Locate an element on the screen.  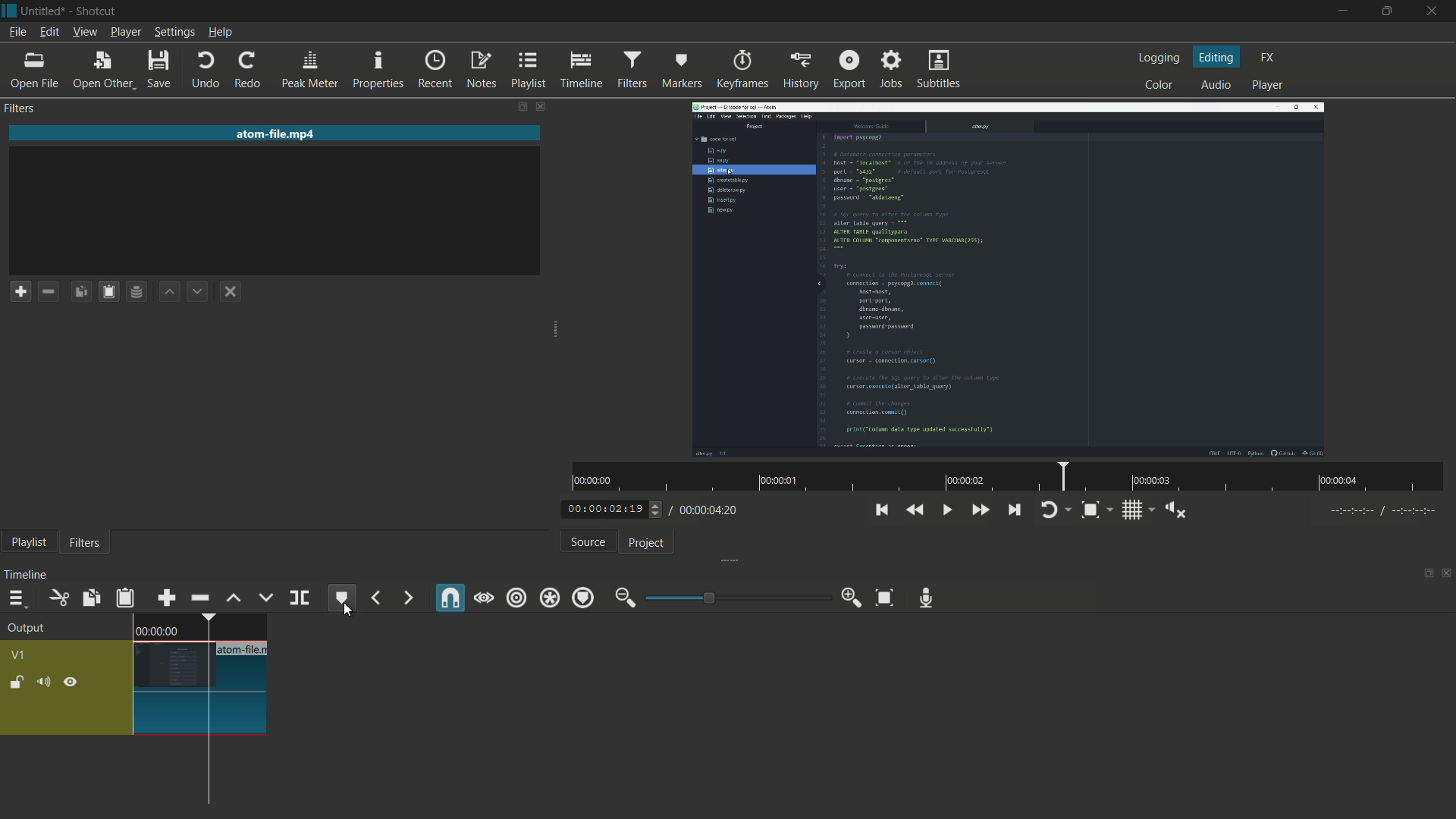
ripple all tracks is located at coordinates (549, 598).